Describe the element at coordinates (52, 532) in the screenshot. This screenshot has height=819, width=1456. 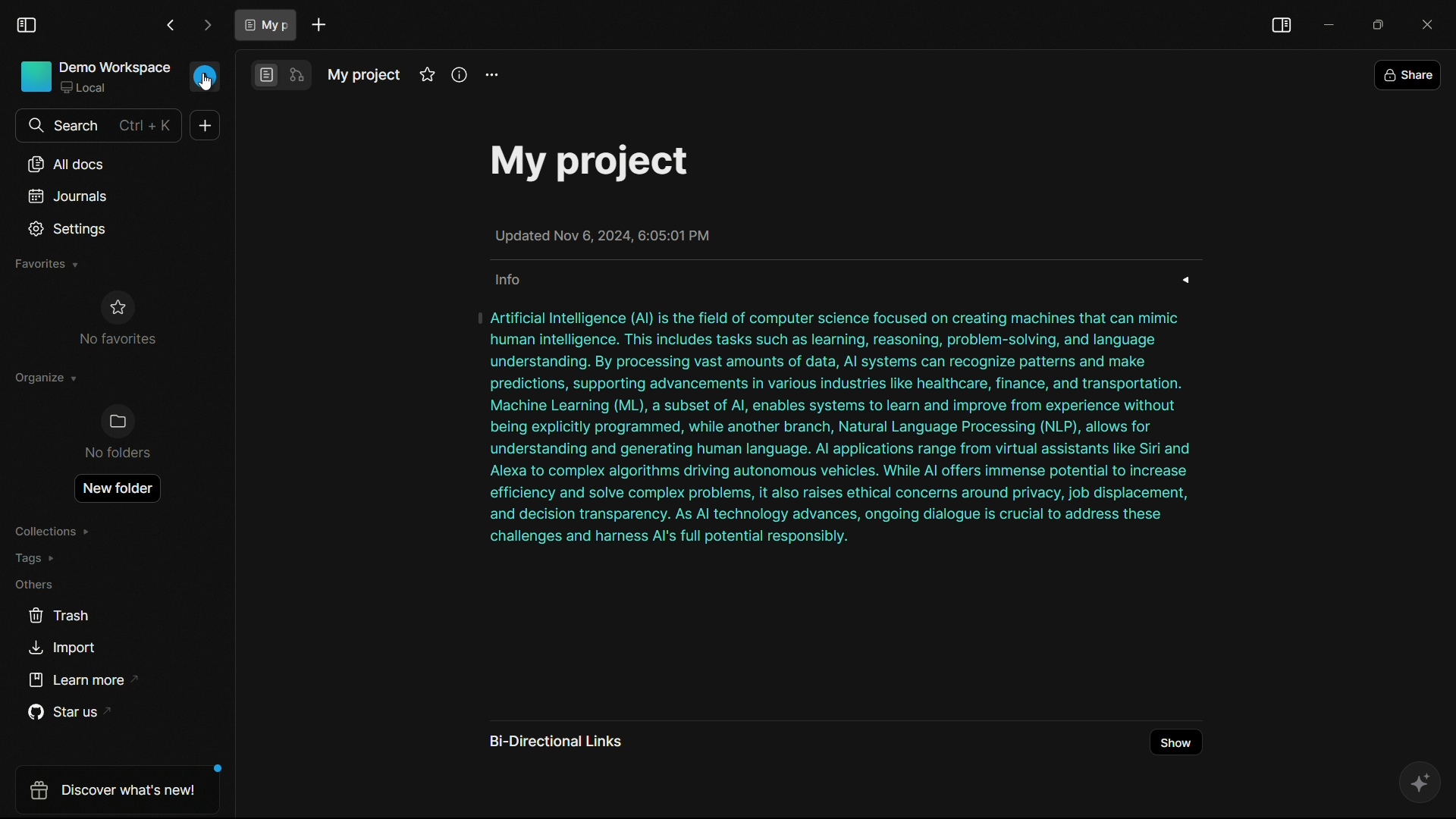
I see `collections` at that location.